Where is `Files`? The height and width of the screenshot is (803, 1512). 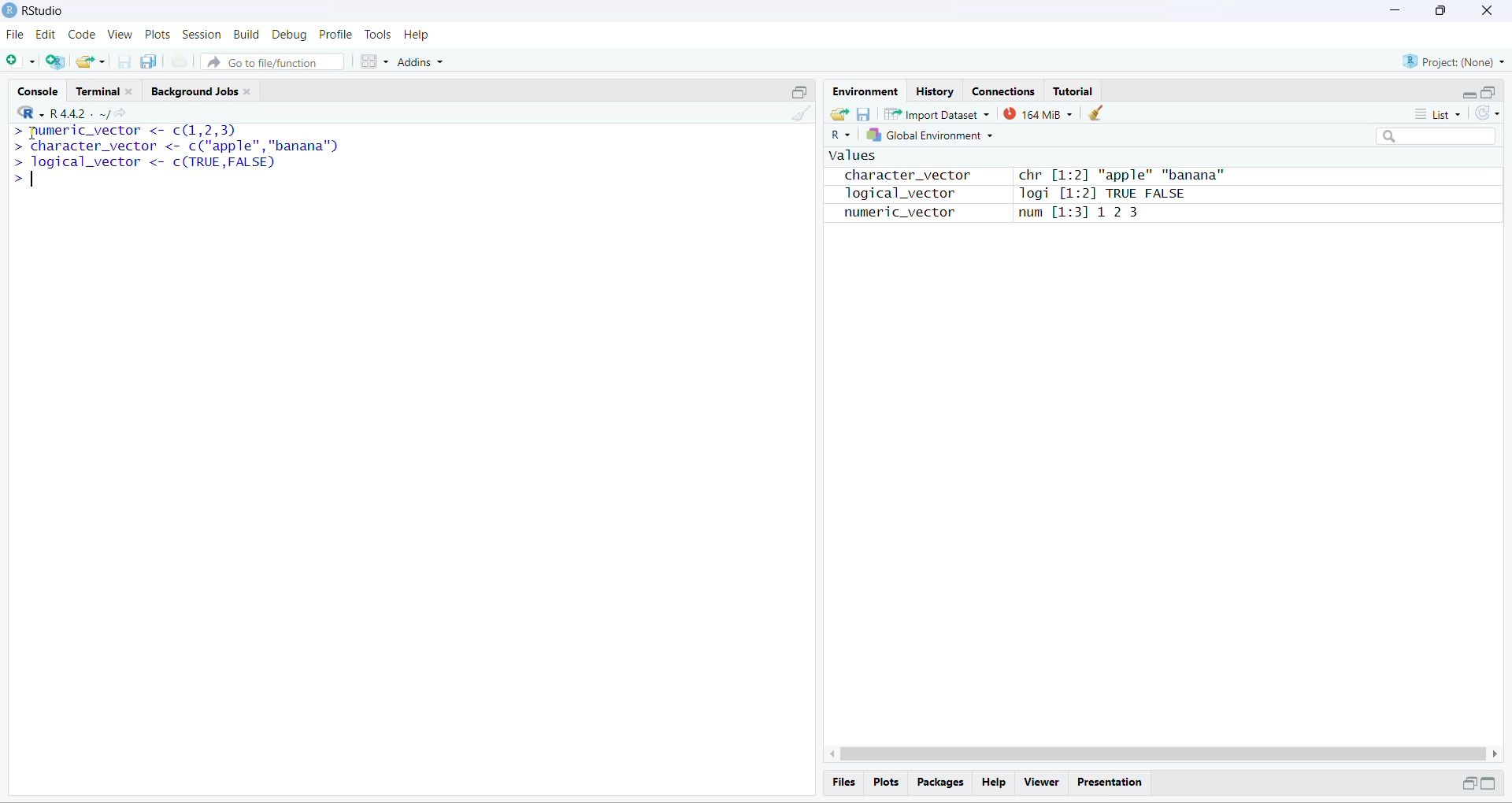
Files is located at coordinates (844, 782).